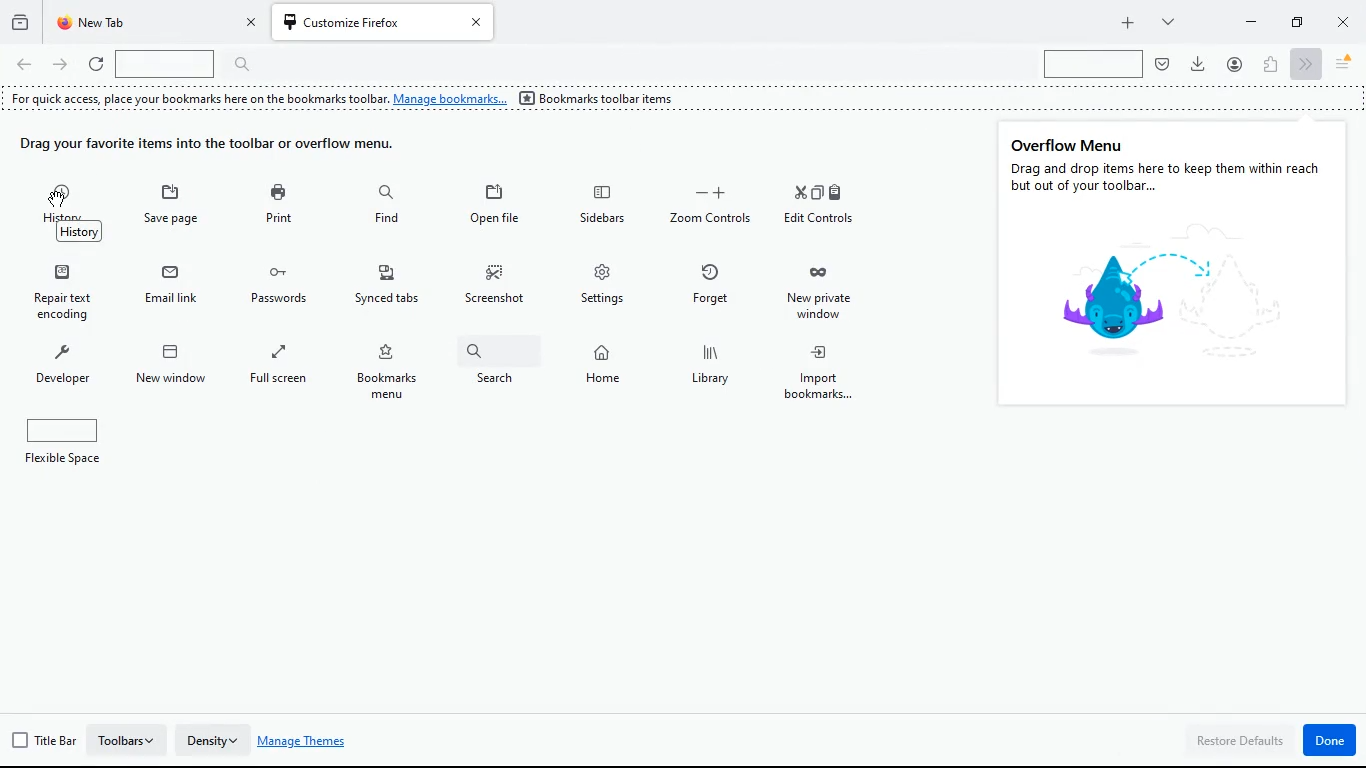  Describe the element at coordinates (1251, 20) in the screenshot. I see `minimize` at that location.